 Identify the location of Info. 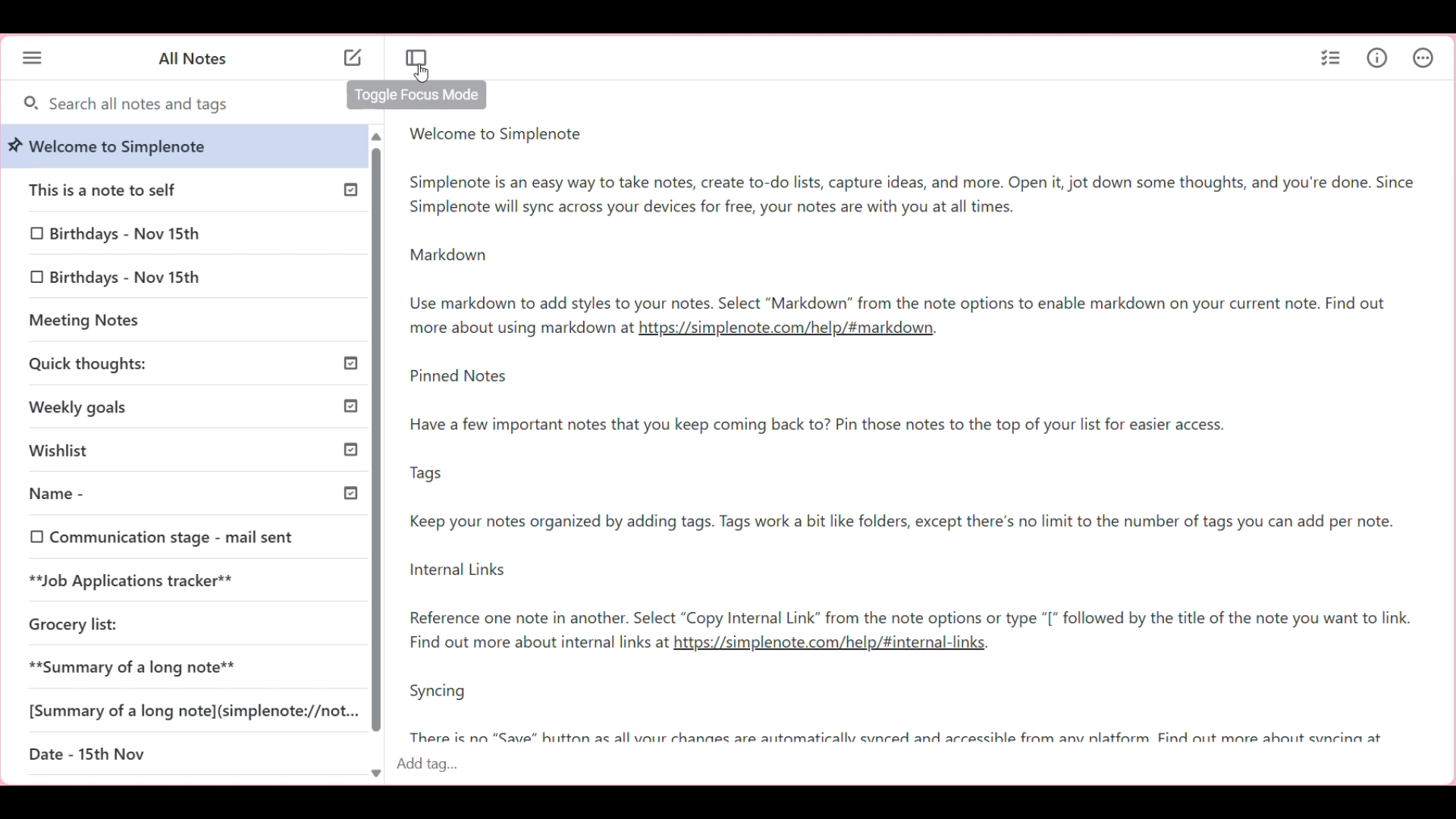
(1377, 57).